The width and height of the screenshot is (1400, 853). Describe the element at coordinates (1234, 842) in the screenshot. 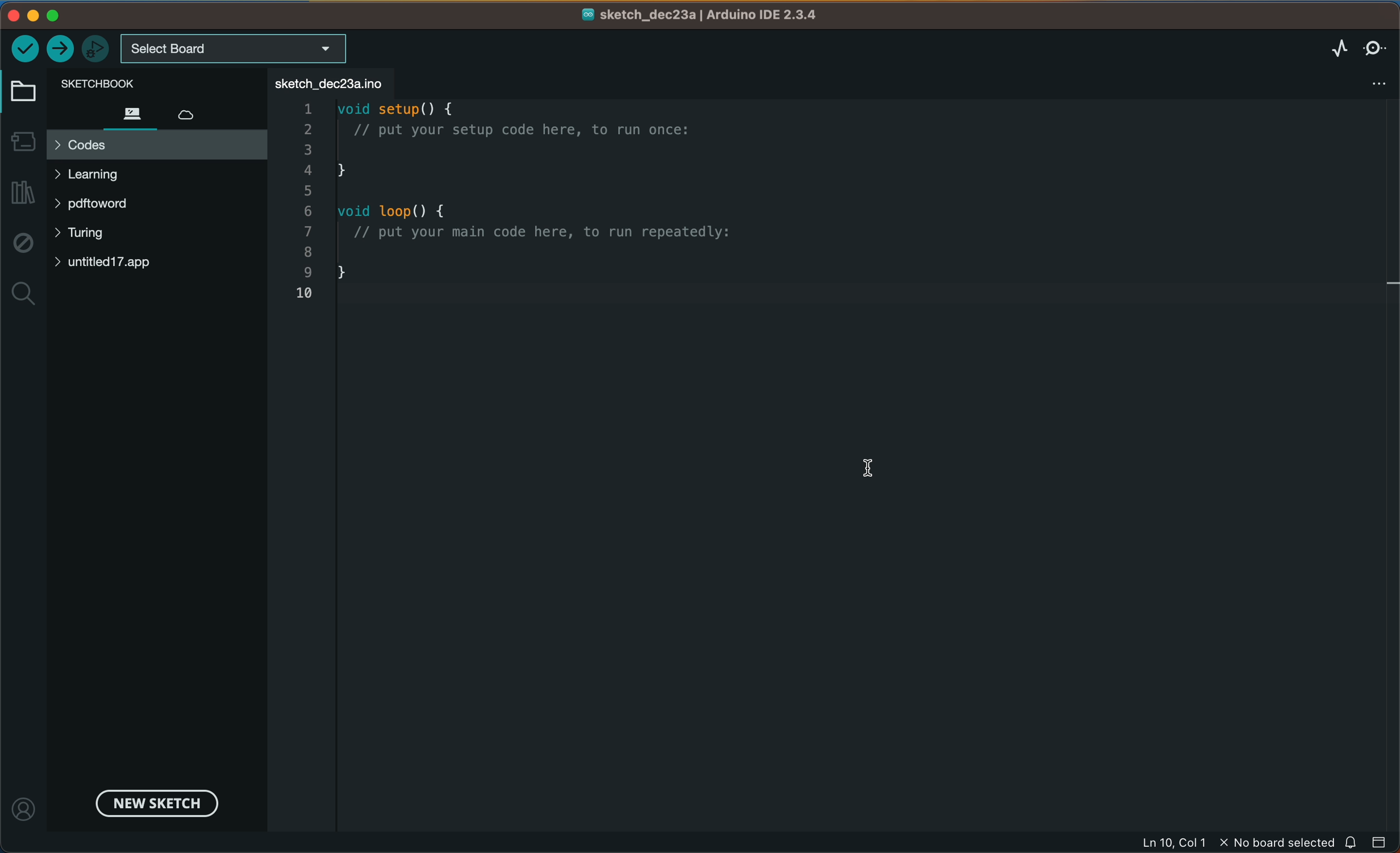

I see `file information` at that location.